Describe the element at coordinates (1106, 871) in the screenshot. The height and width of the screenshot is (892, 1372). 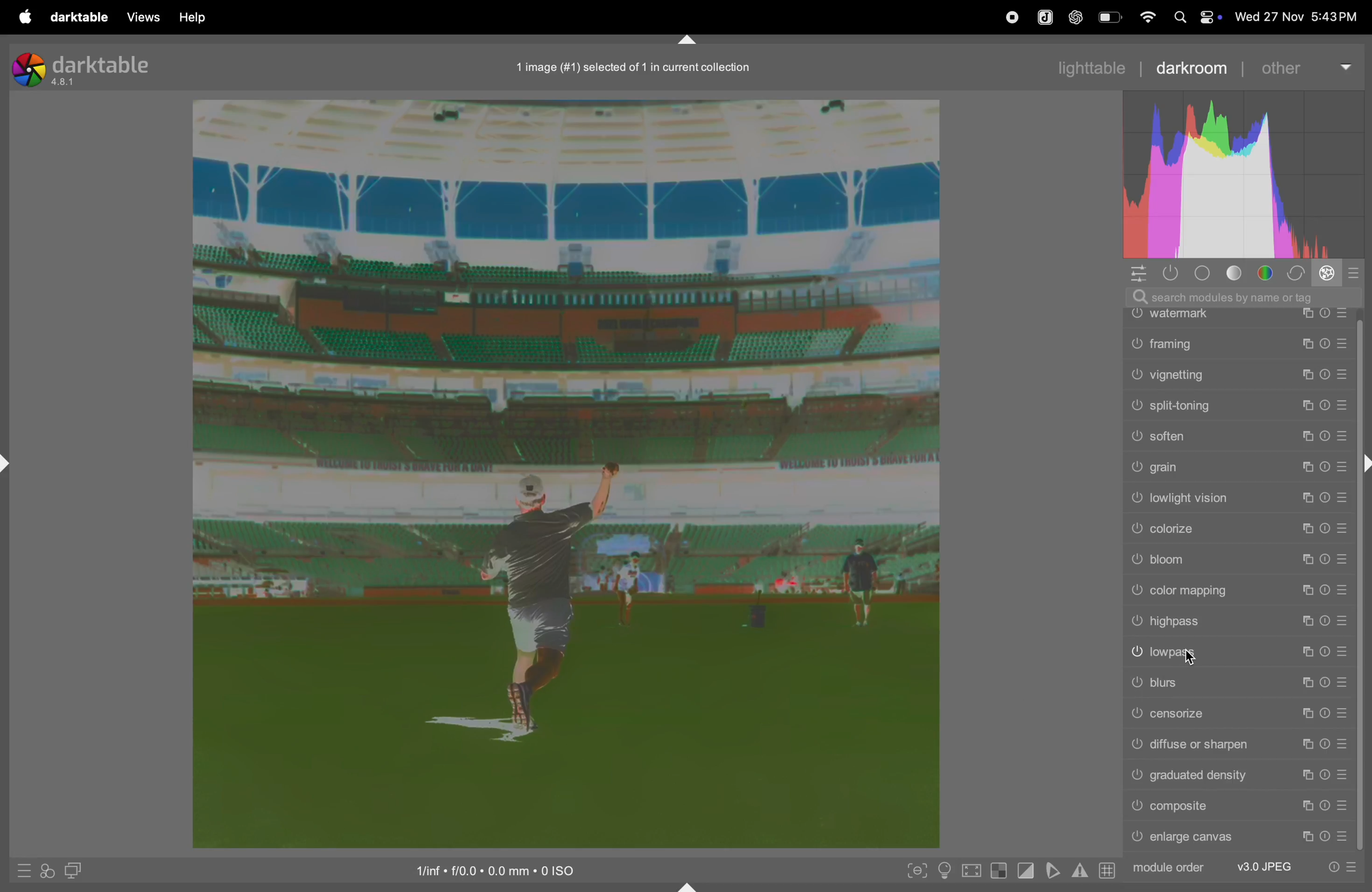
I see `grid` at that location.